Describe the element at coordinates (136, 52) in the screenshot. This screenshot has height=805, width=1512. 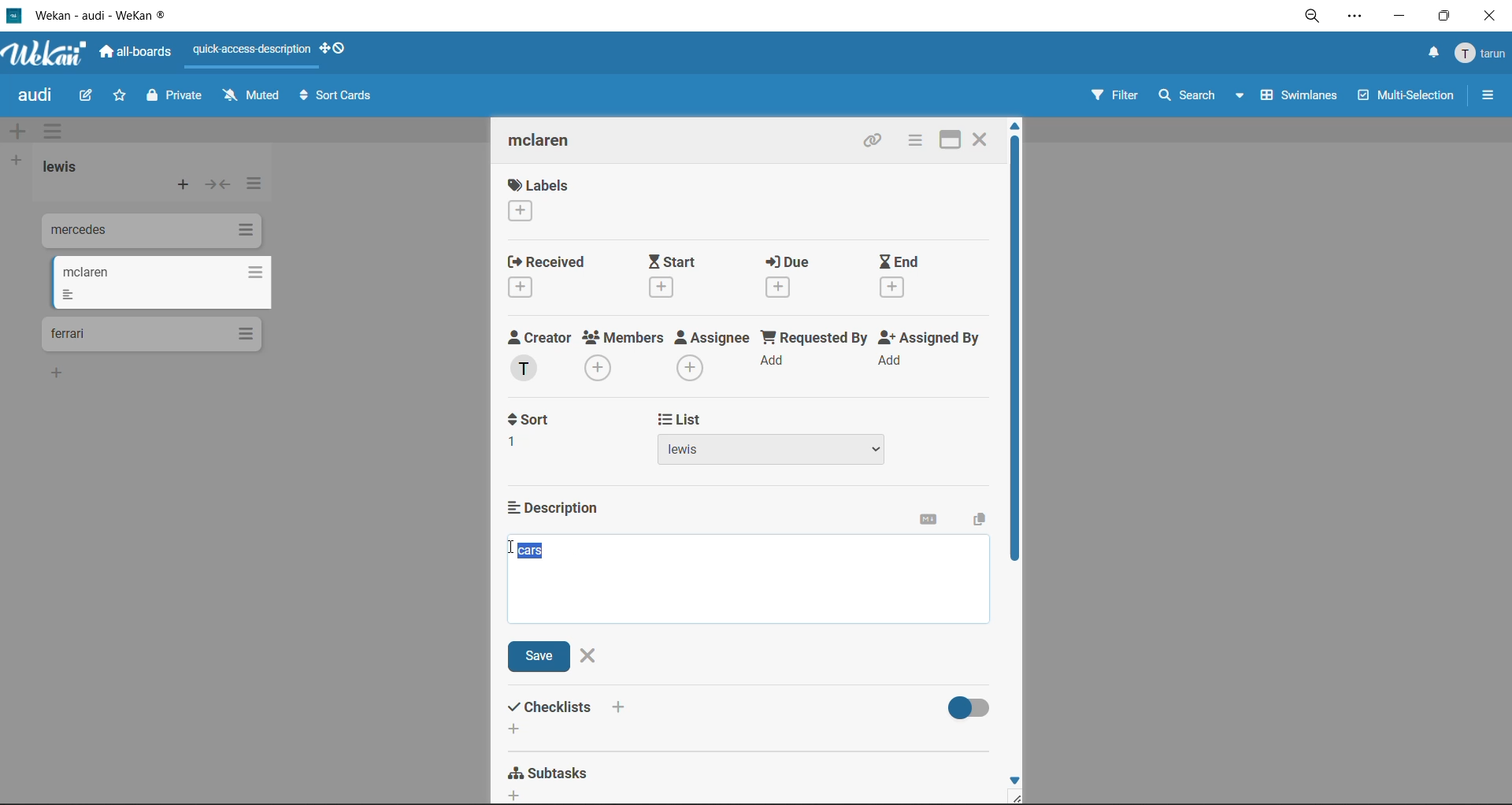
I see `all boards` at that location.